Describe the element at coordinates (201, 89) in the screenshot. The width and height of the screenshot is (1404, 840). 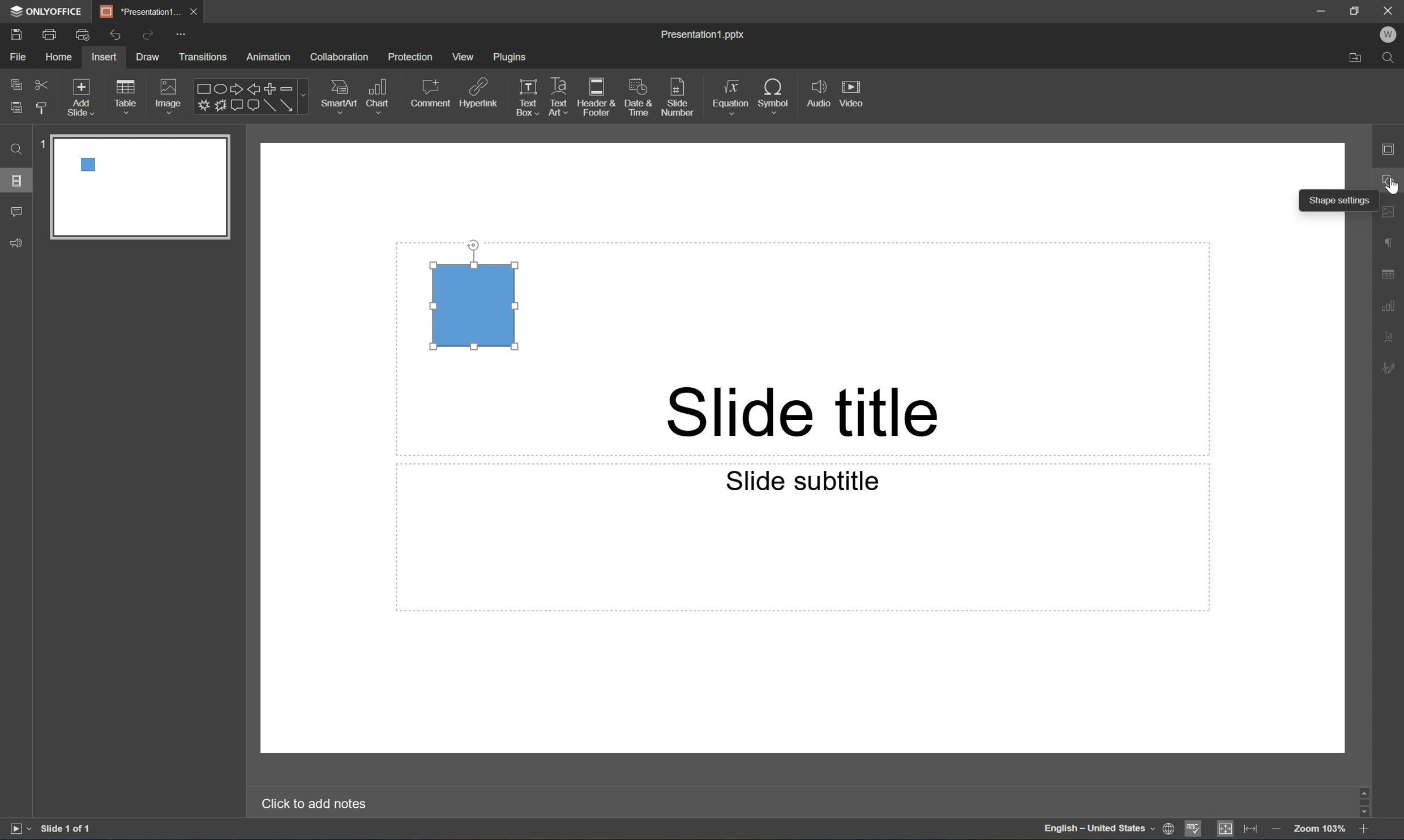
I see `Rectangle` at that location.